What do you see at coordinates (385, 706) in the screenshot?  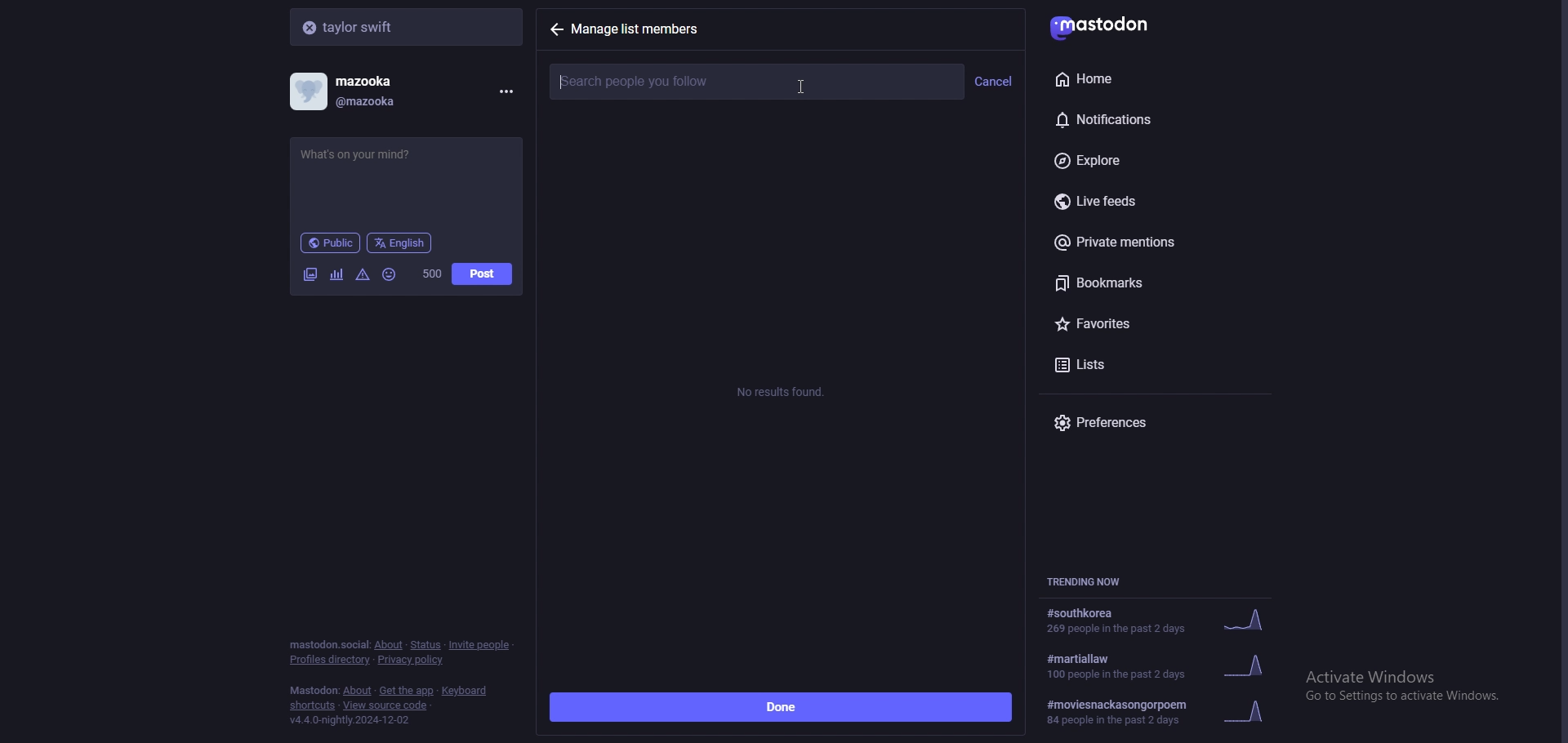 I see `view source code` at bounding box center [385, 706].